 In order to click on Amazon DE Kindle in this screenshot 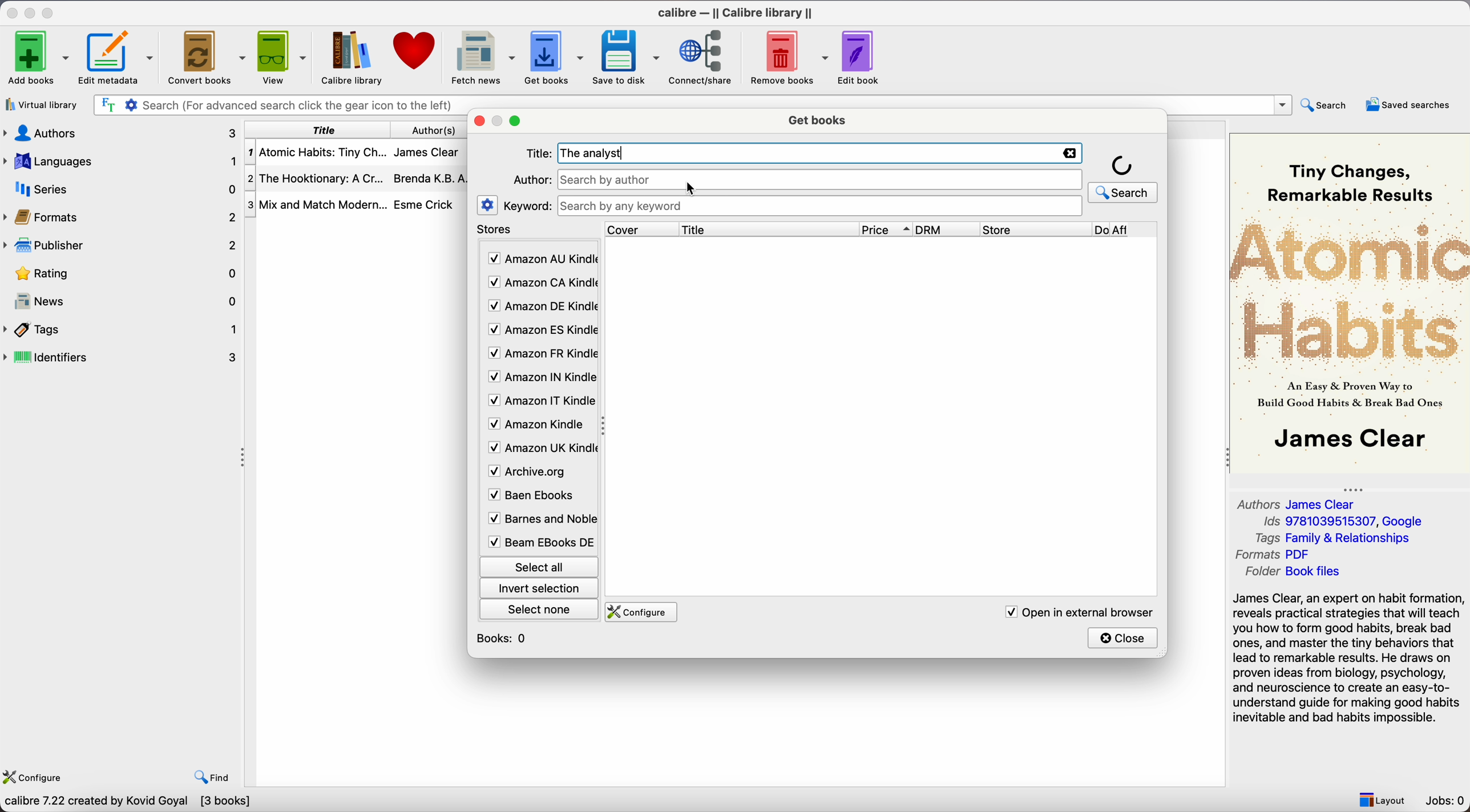, I will do `click(541, 308)`.